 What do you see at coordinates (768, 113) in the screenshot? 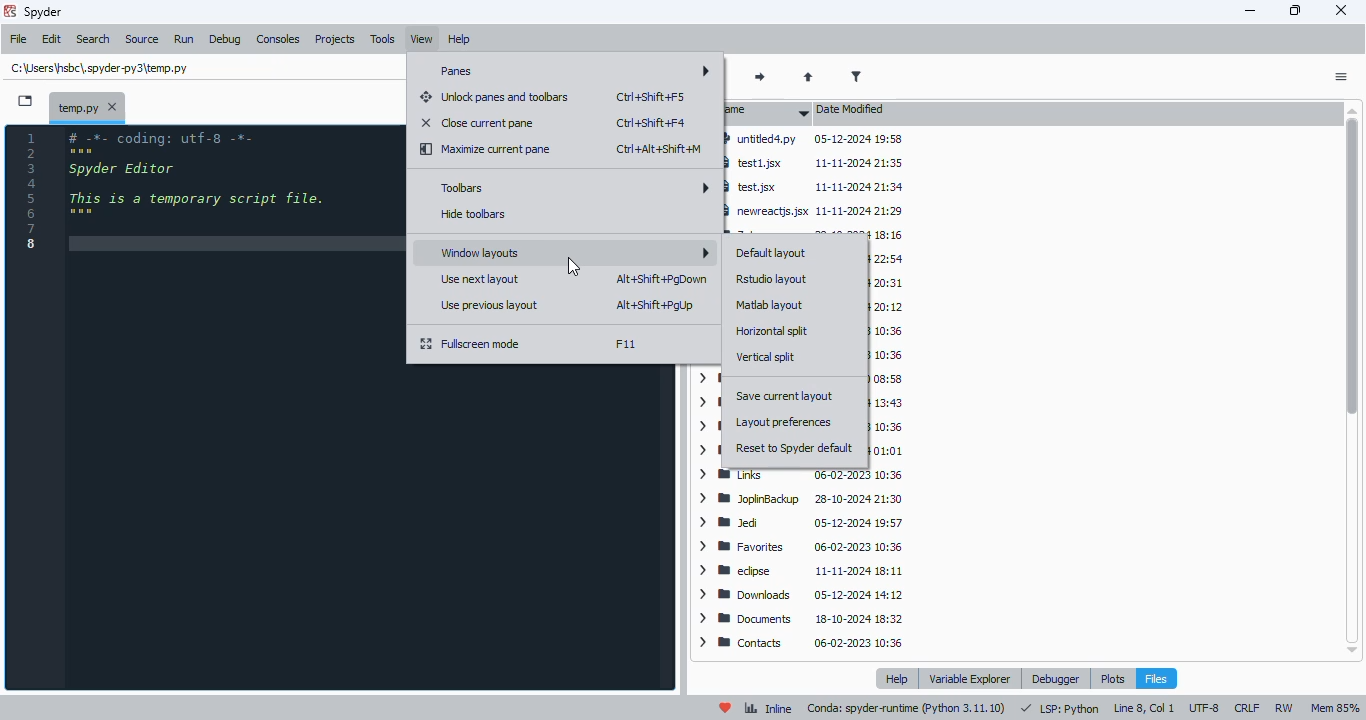
I see `name` at bounding box center [768, 113].